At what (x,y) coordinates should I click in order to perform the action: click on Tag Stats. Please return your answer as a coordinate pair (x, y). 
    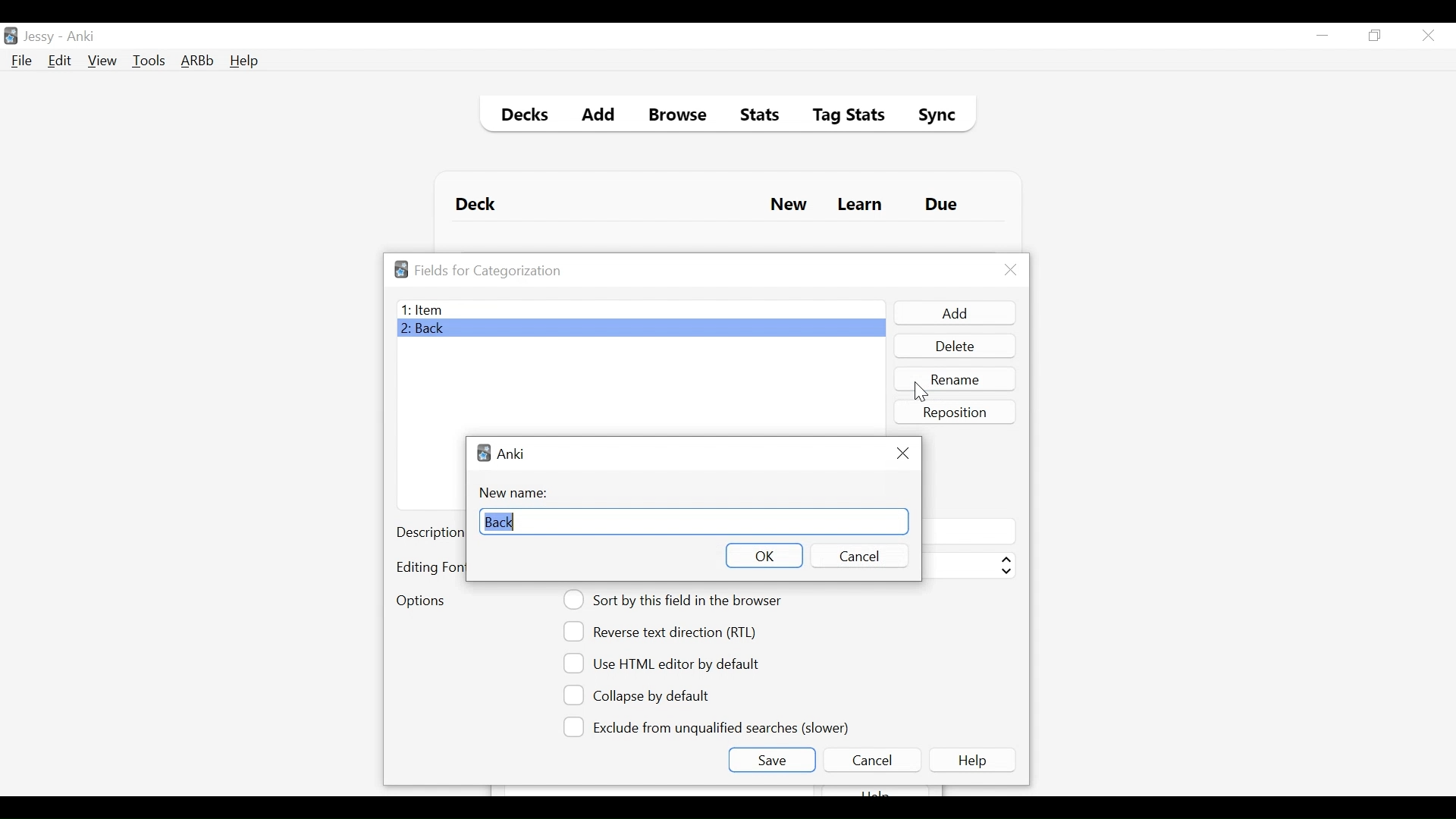
    Looking at the image, I should click on (840, 117).